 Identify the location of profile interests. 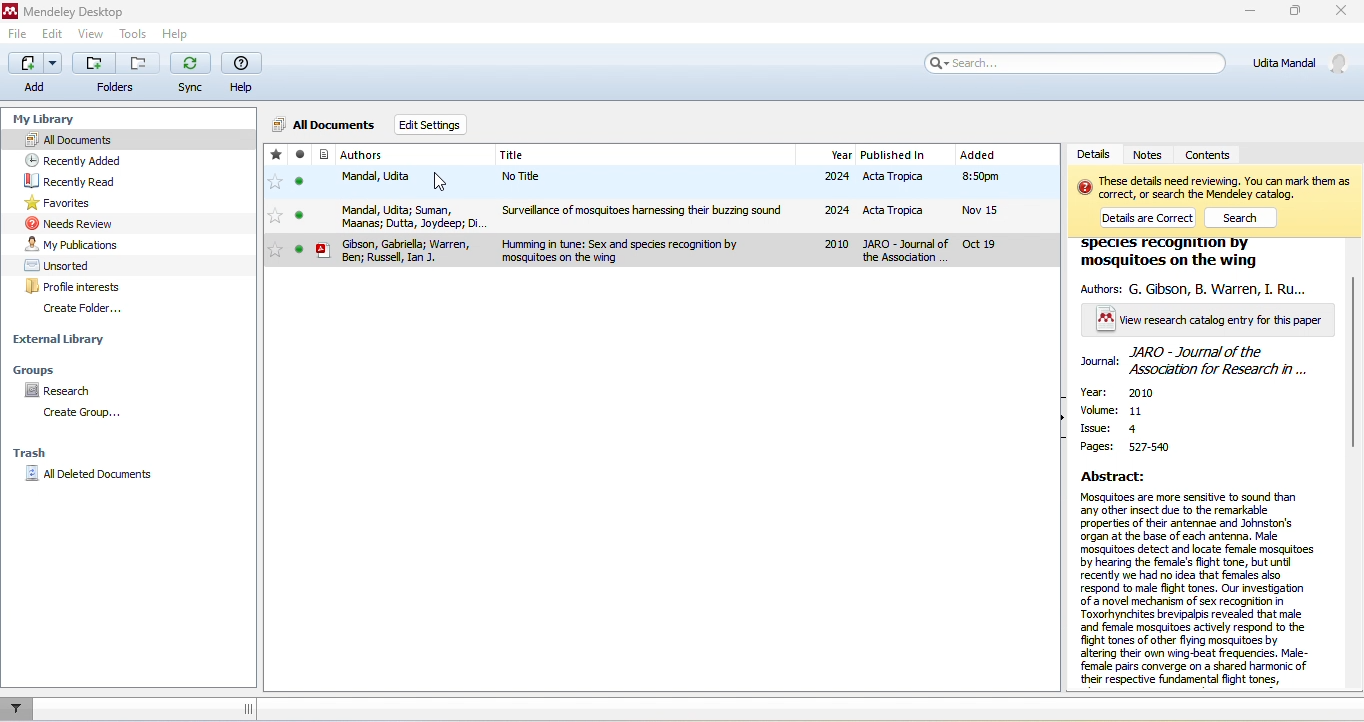
(82, 287).